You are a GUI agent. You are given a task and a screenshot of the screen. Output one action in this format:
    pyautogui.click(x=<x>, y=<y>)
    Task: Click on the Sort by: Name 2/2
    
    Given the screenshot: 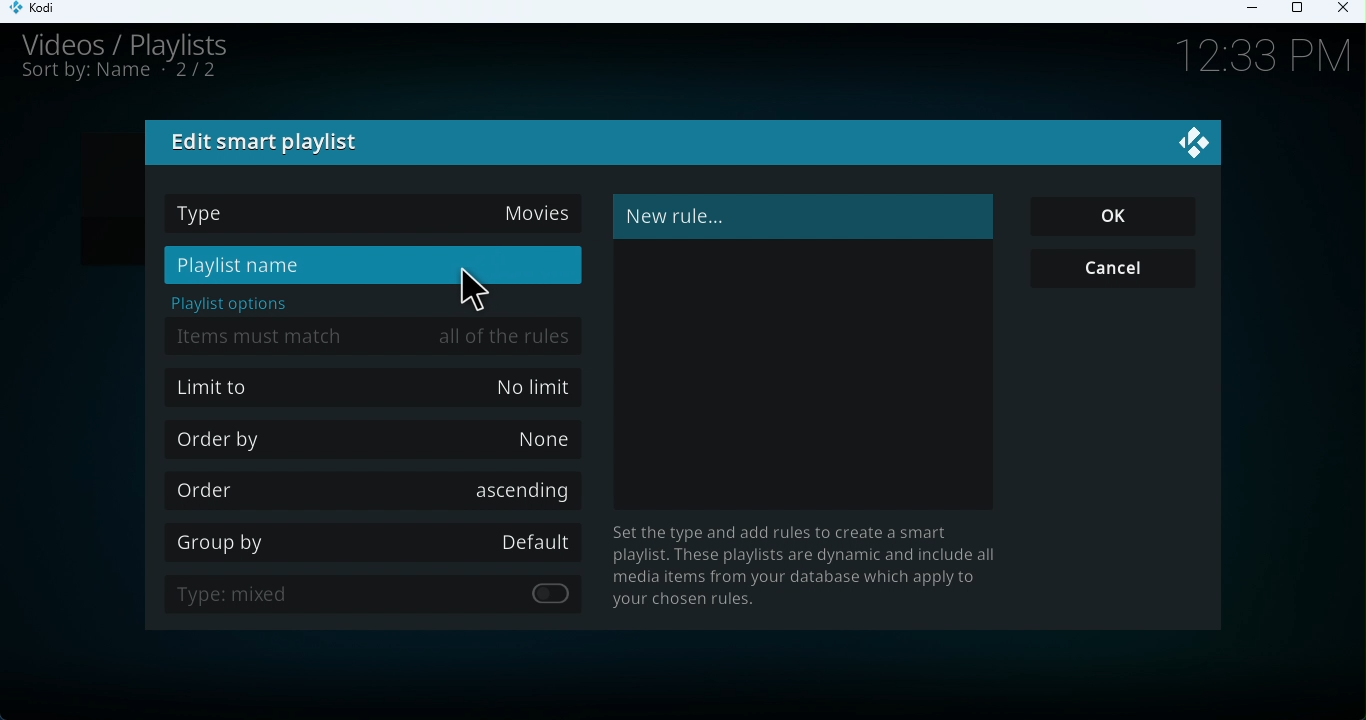 What is the action you would take?
    pyautogui.click(x=120, y=76)
    